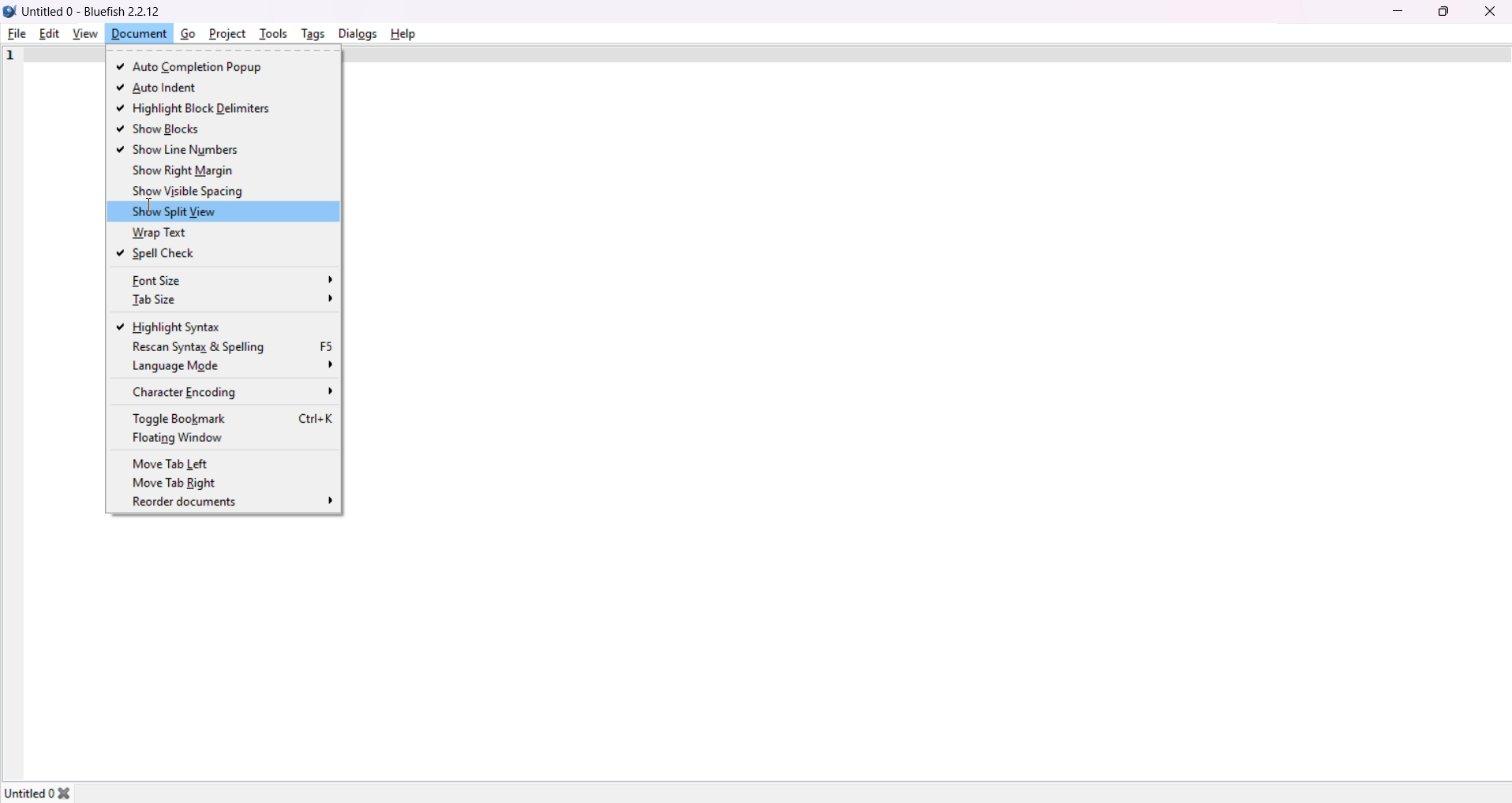 The height and width of the screenshot is (803, 1512). I want to click on toggle bookmark, so click(233, 418).